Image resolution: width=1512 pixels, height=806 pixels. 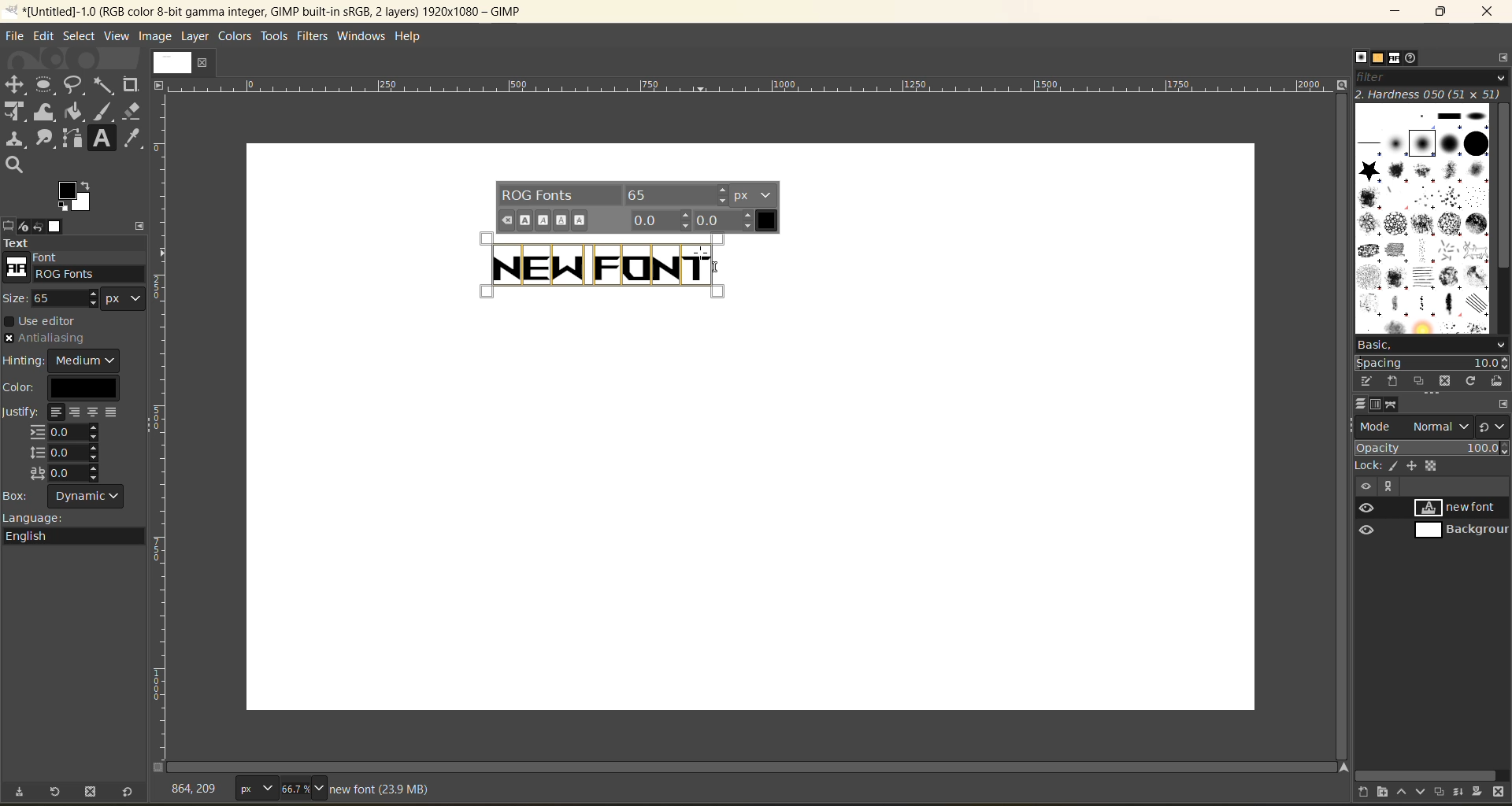 I want to click on spacing, so click(x=1431, y=364).